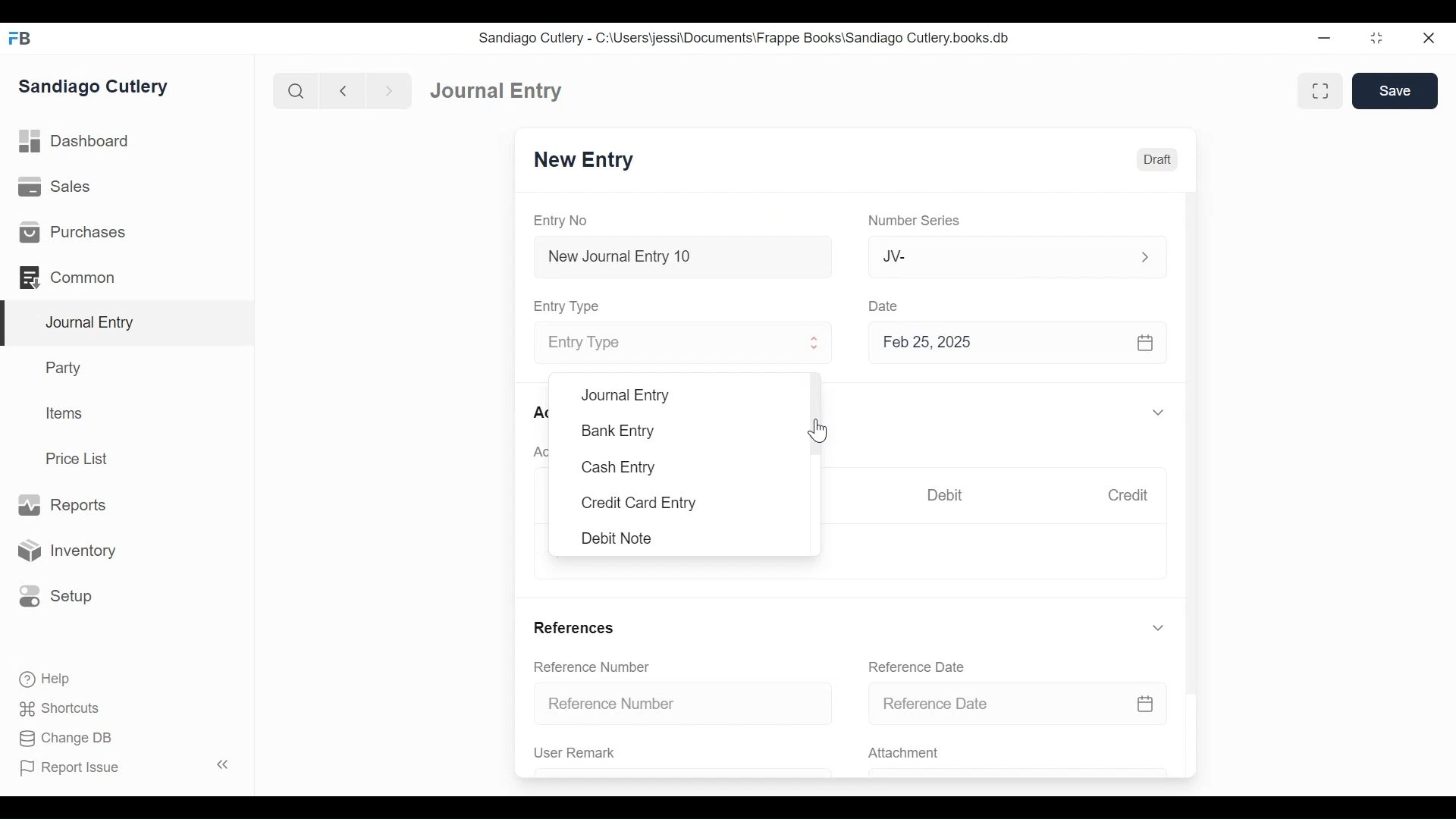 The image size is (1456, 819). I want to click on Draft, so click(1158, 160).